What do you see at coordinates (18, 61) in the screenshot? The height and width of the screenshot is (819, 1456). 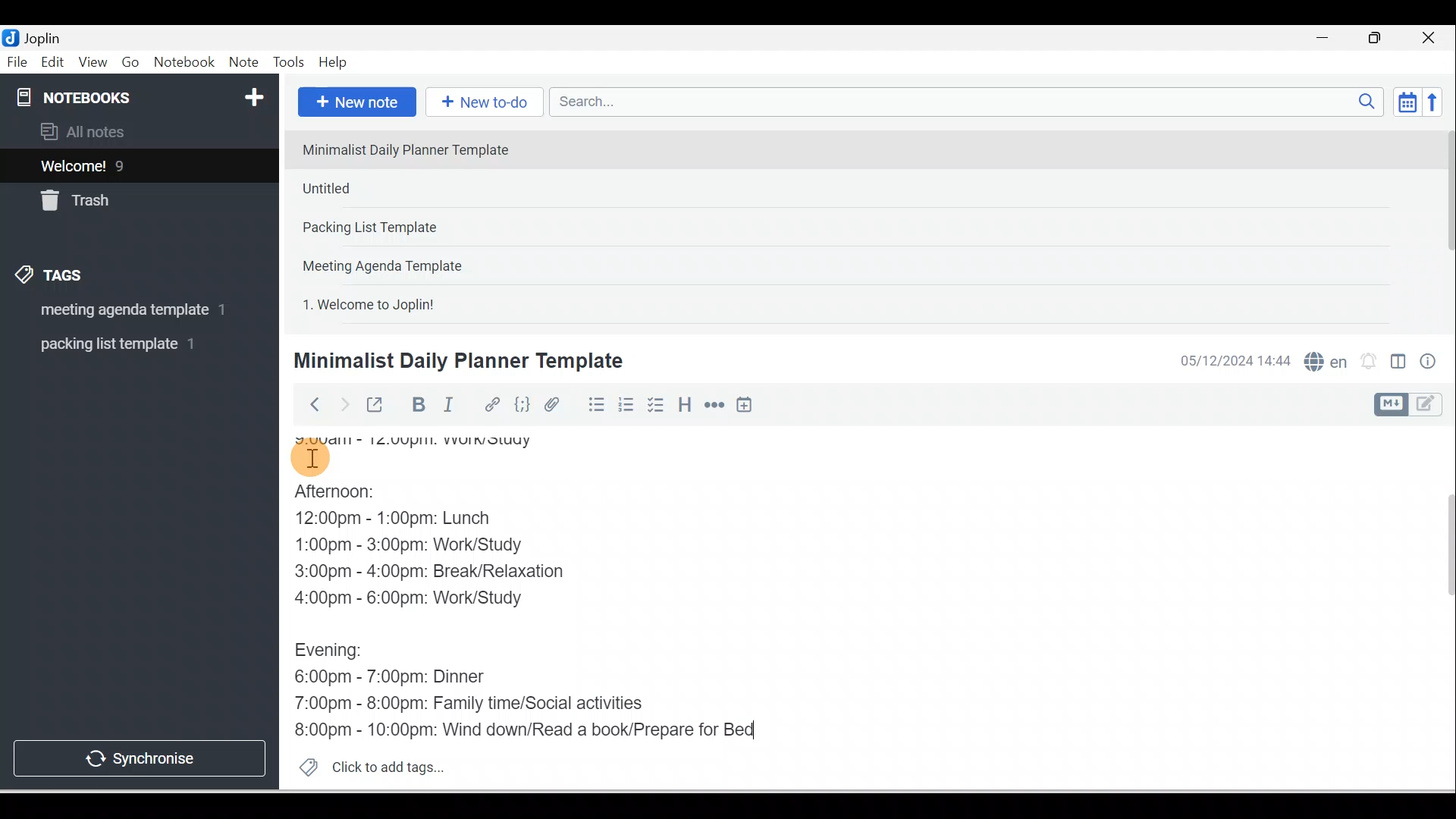 I see `File` at bounding box center [18, 61].